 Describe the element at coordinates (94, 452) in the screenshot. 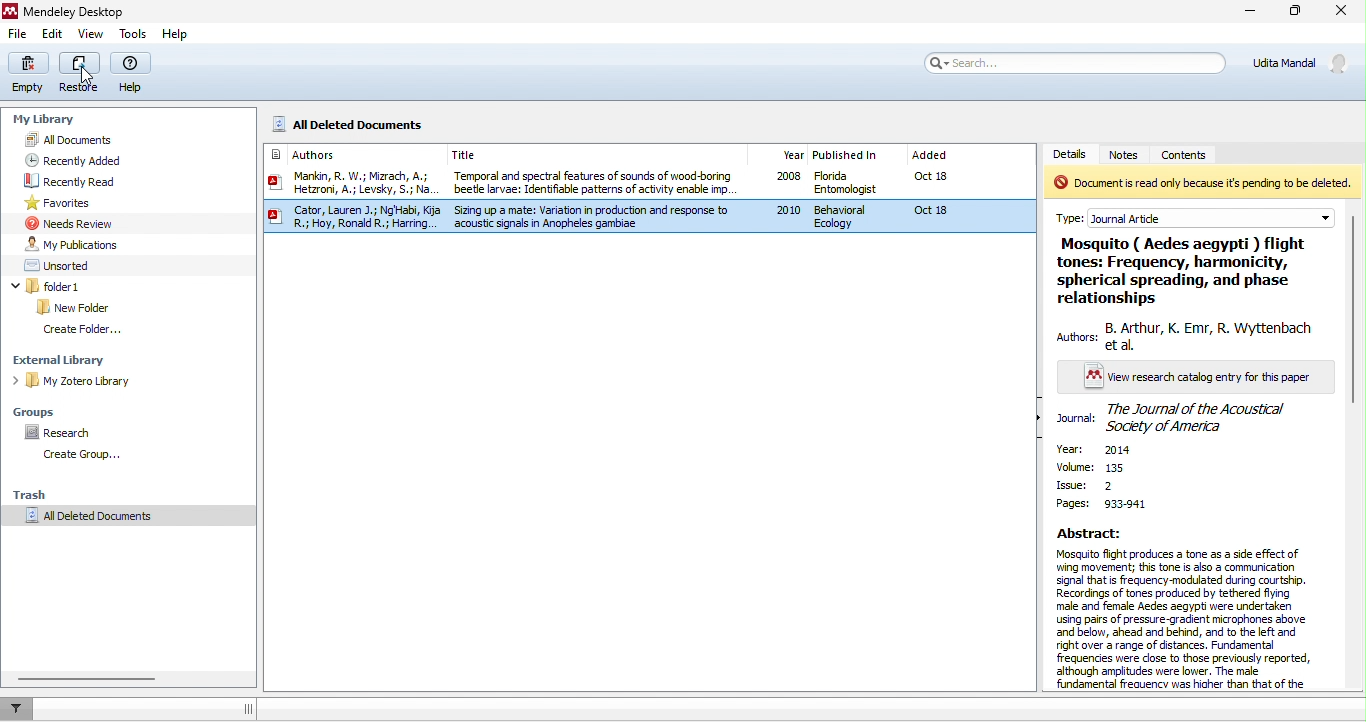

I see `create group` at that location.